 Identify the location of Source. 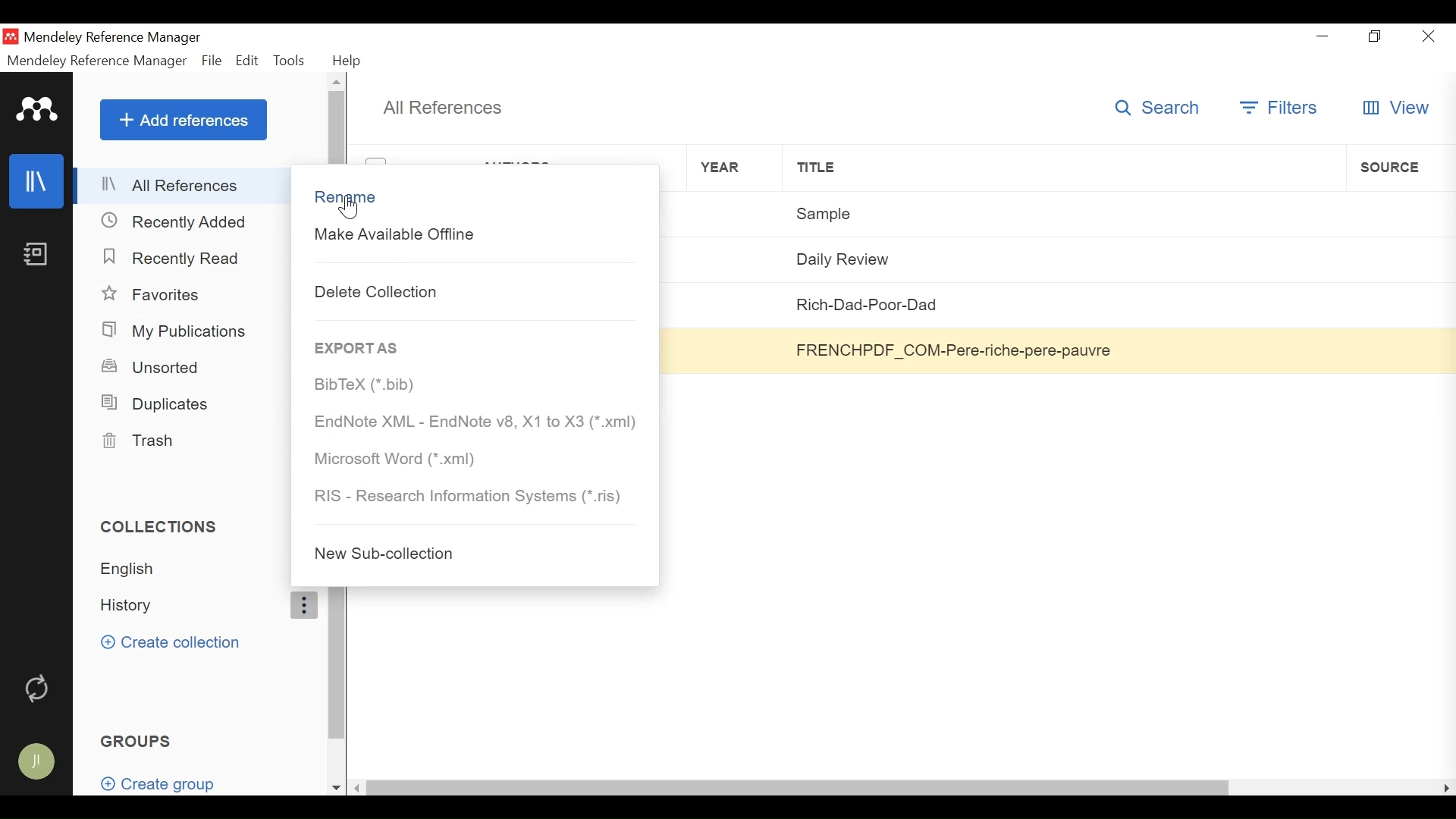
(1400, 167).